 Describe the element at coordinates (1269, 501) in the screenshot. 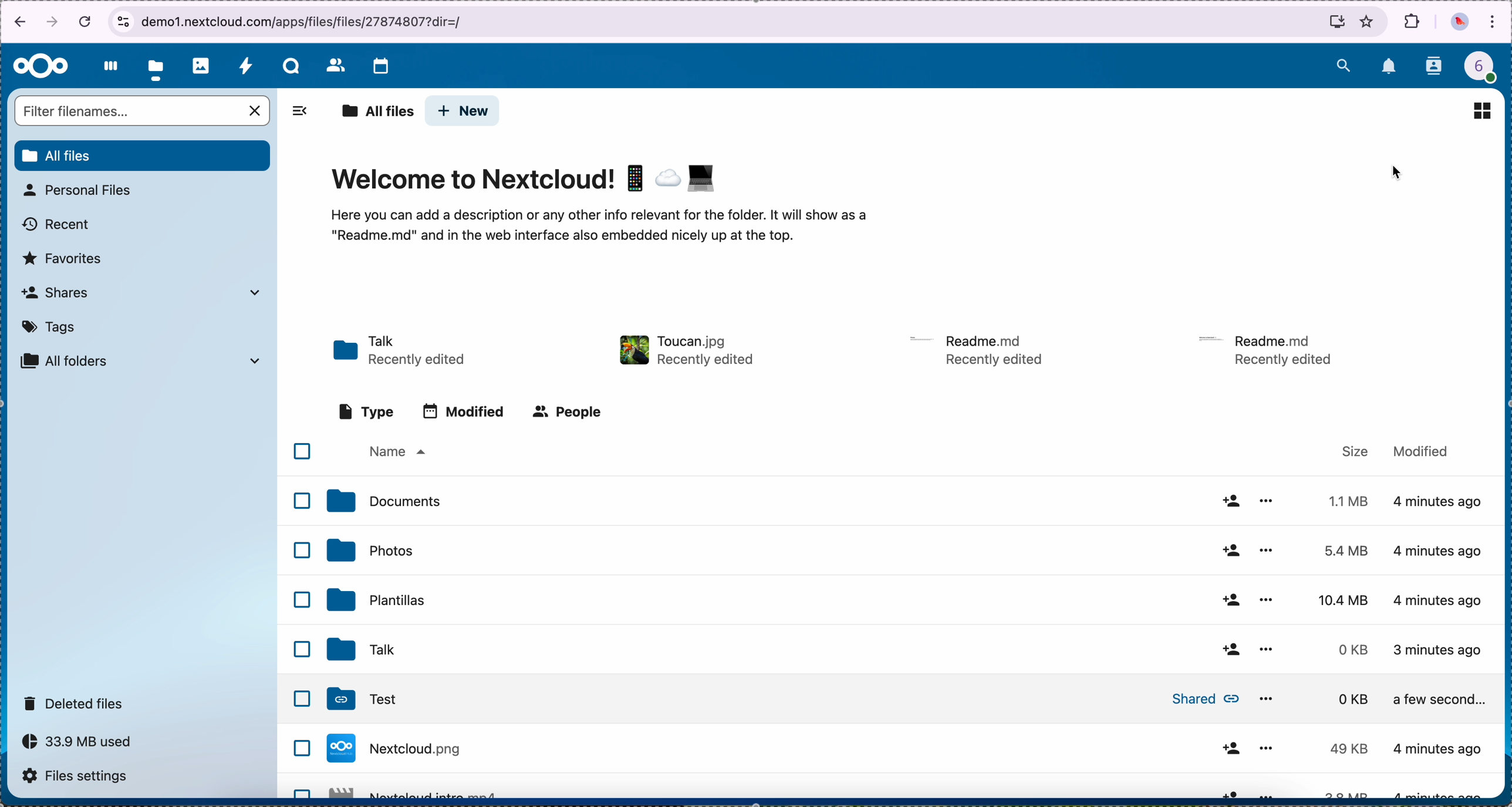

I see `more options` at that location.